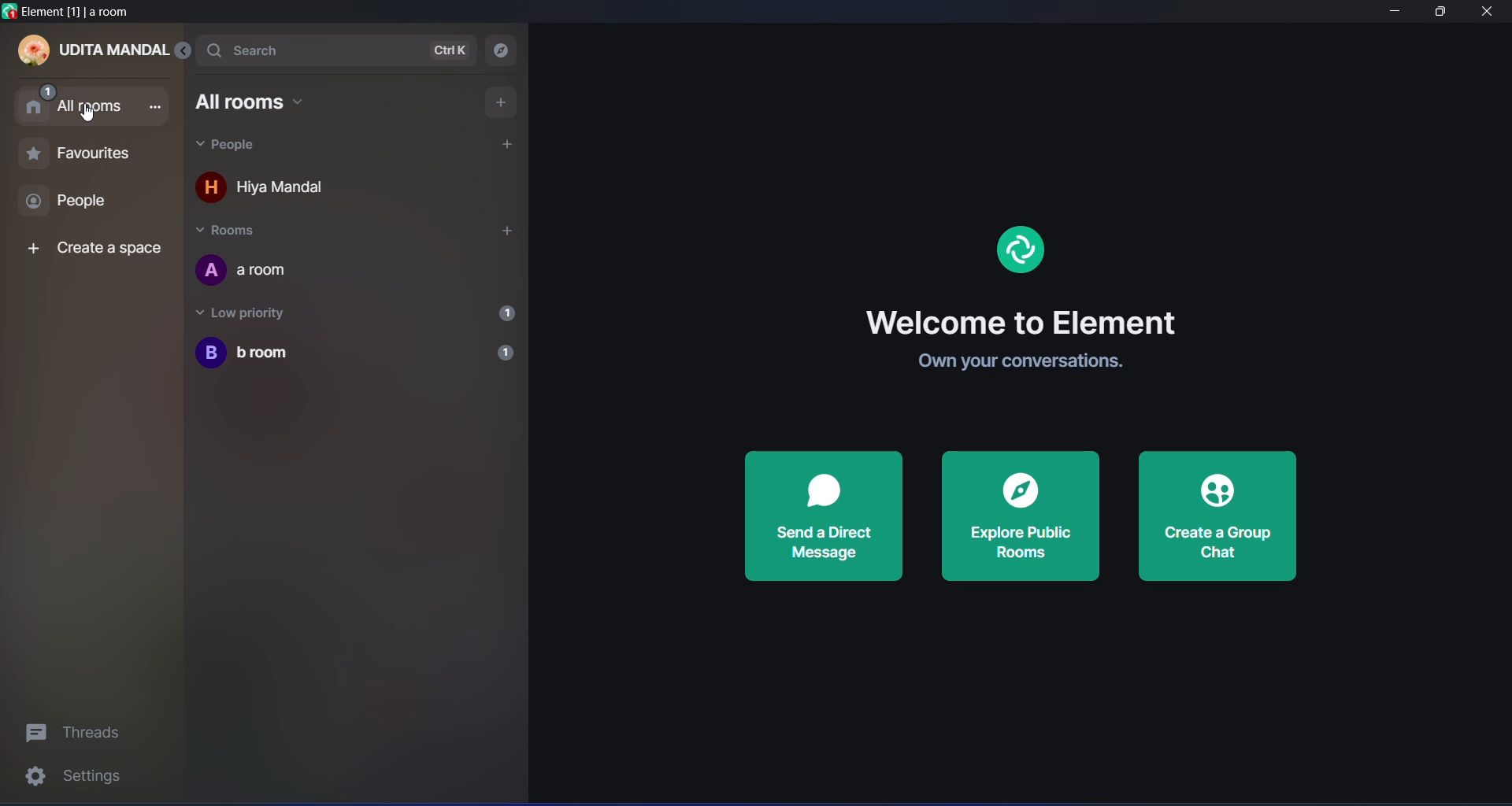  Describe the element at coordinates (75, 12) in the screenshot. I see `Element [1] | a room` at that location.